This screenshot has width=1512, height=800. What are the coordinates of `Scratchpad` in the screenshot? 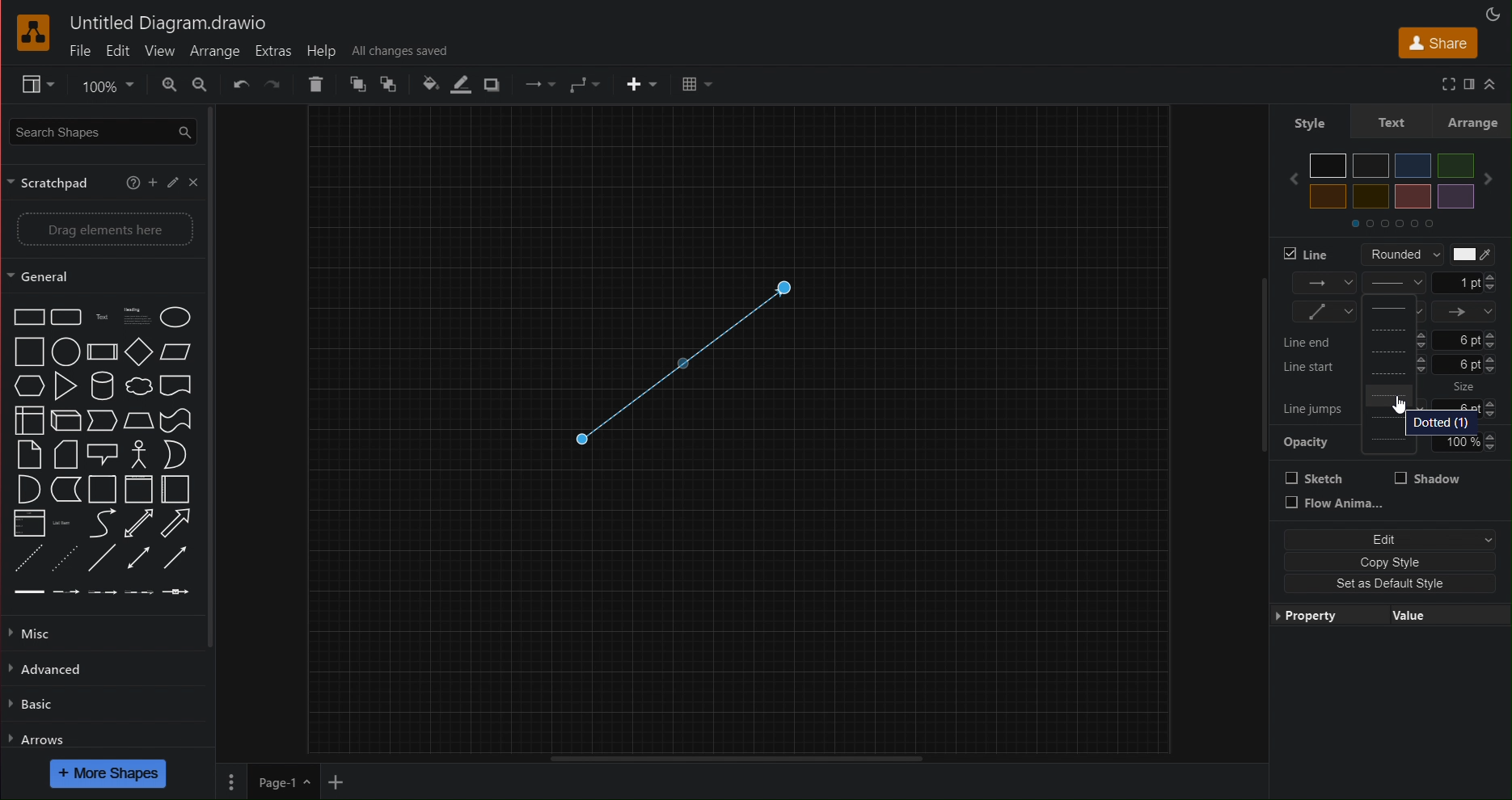 It's located at (54, 182).